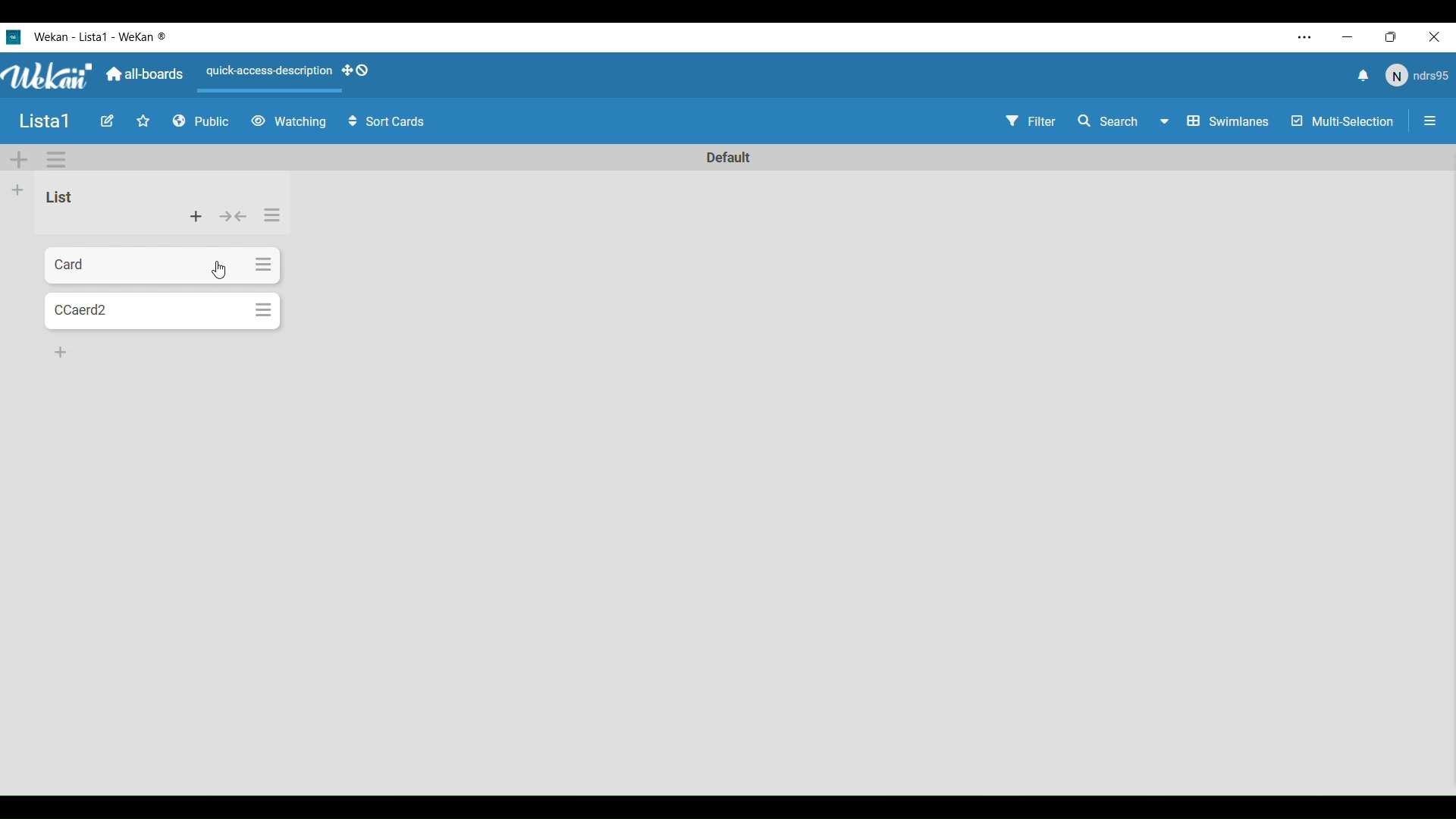 The image size is (1456, 819). Describe the element at coordinates (1122, 121) in the screenshot. I see `Search` at that location.